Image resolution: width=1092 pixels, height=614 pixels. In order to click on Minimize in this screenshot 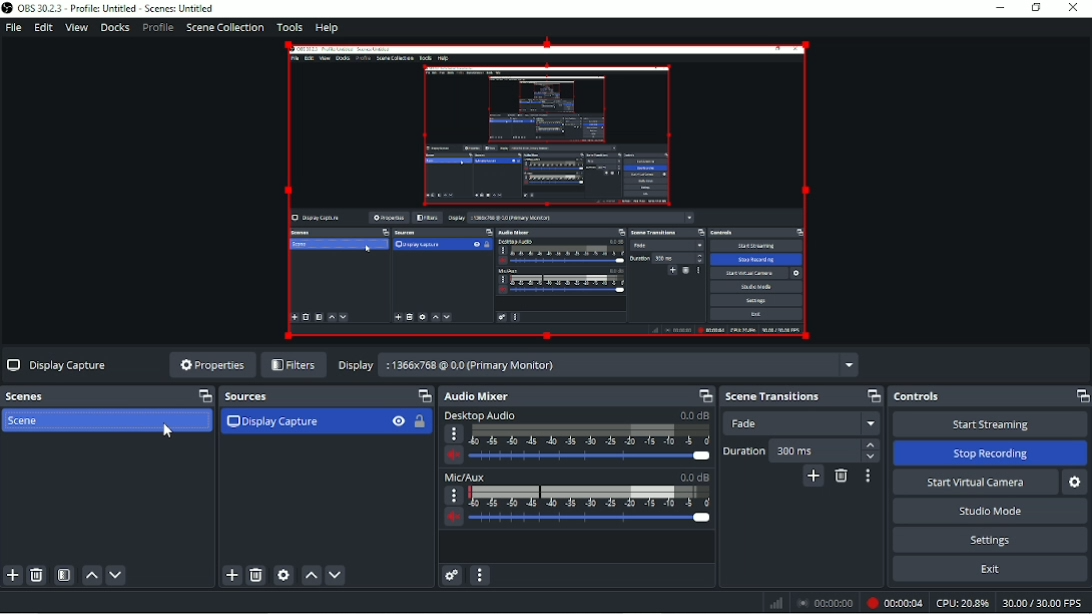, I will do `click(1000, 7)`.